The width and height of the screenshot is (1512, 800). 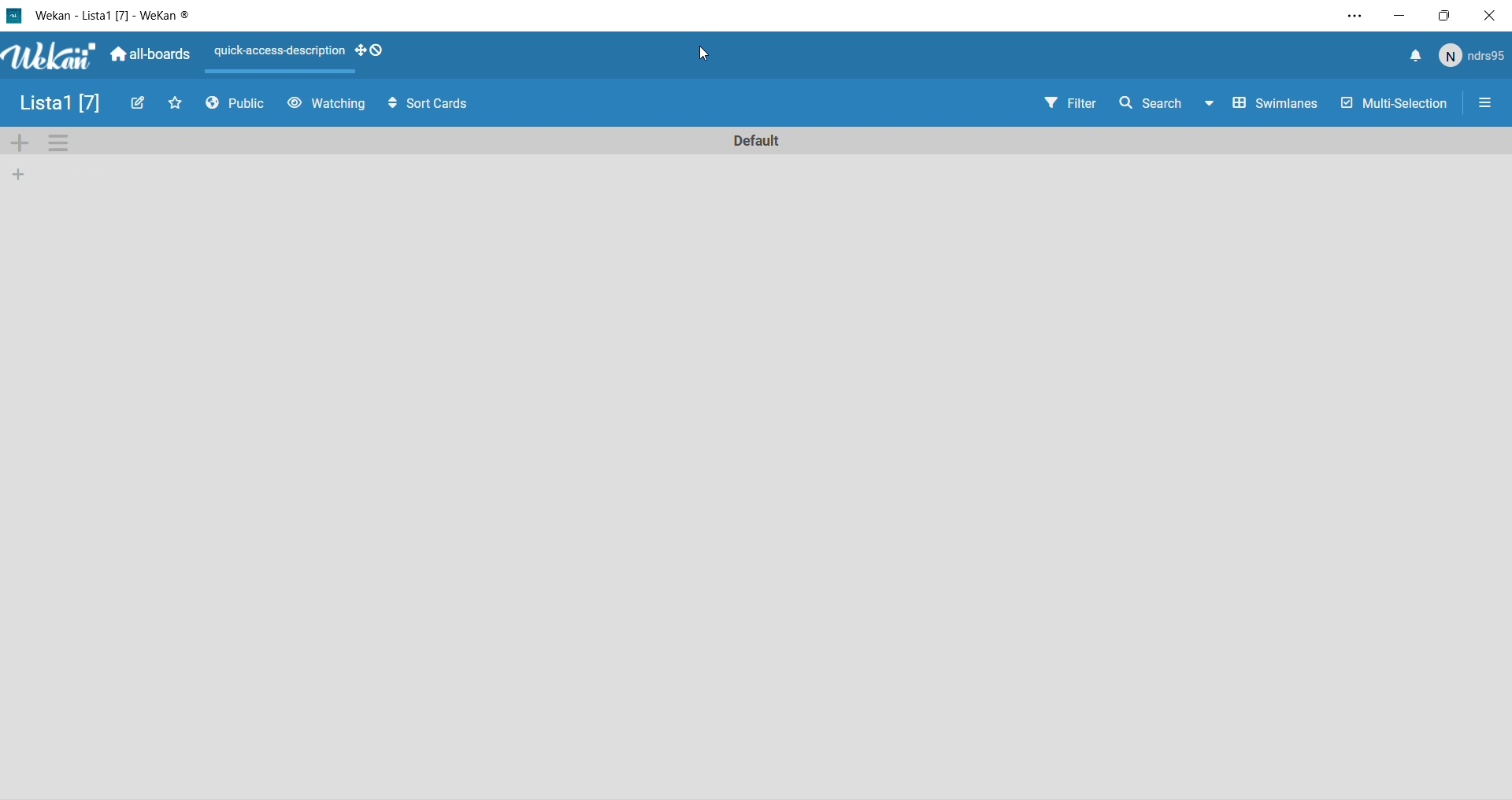 What do you see at coordinates (328, 104) in the screenshot?
I see `Watching` at bounding box center [328, 104].